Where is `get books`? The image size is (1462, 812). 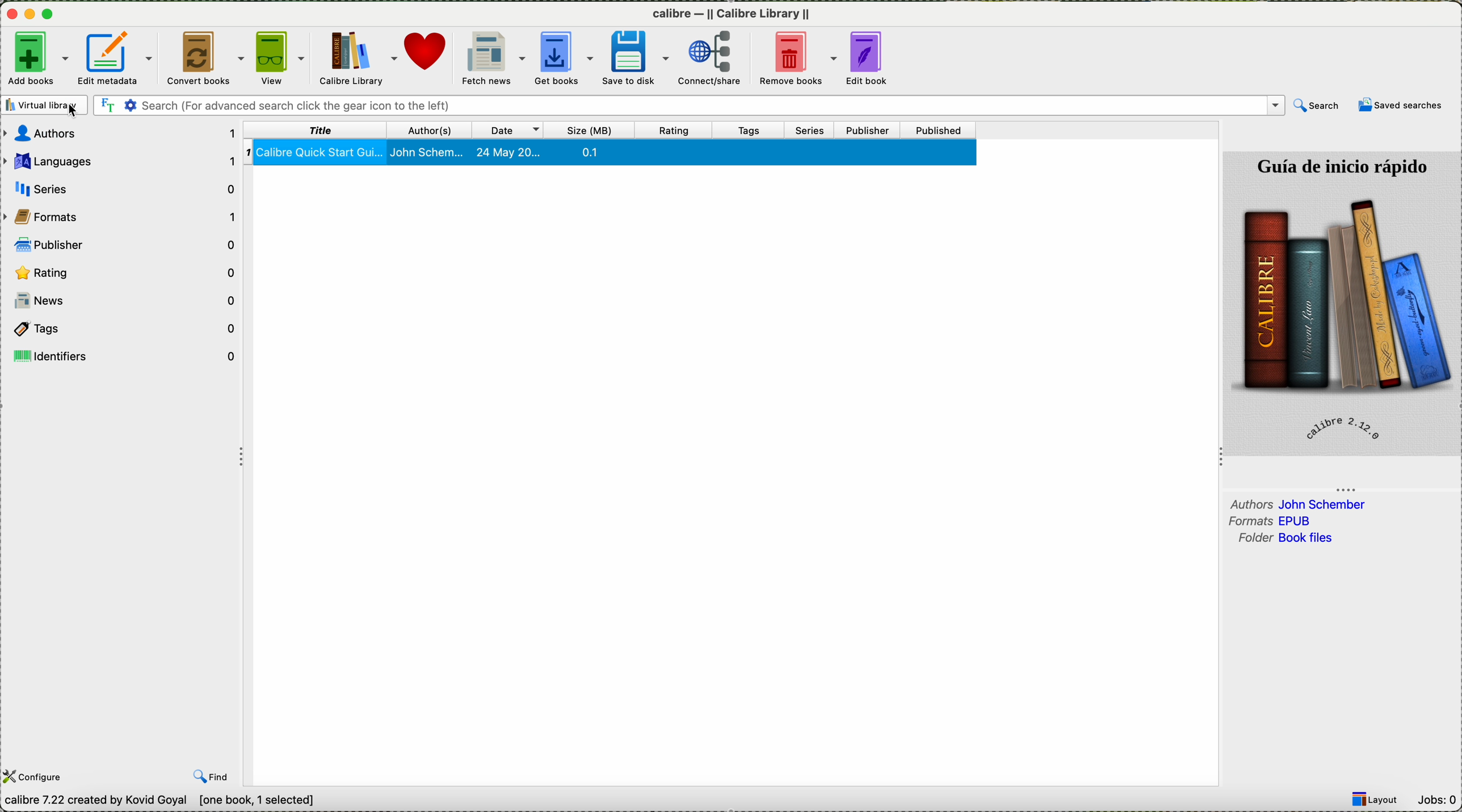 get books is located at coordinates (565, 60).